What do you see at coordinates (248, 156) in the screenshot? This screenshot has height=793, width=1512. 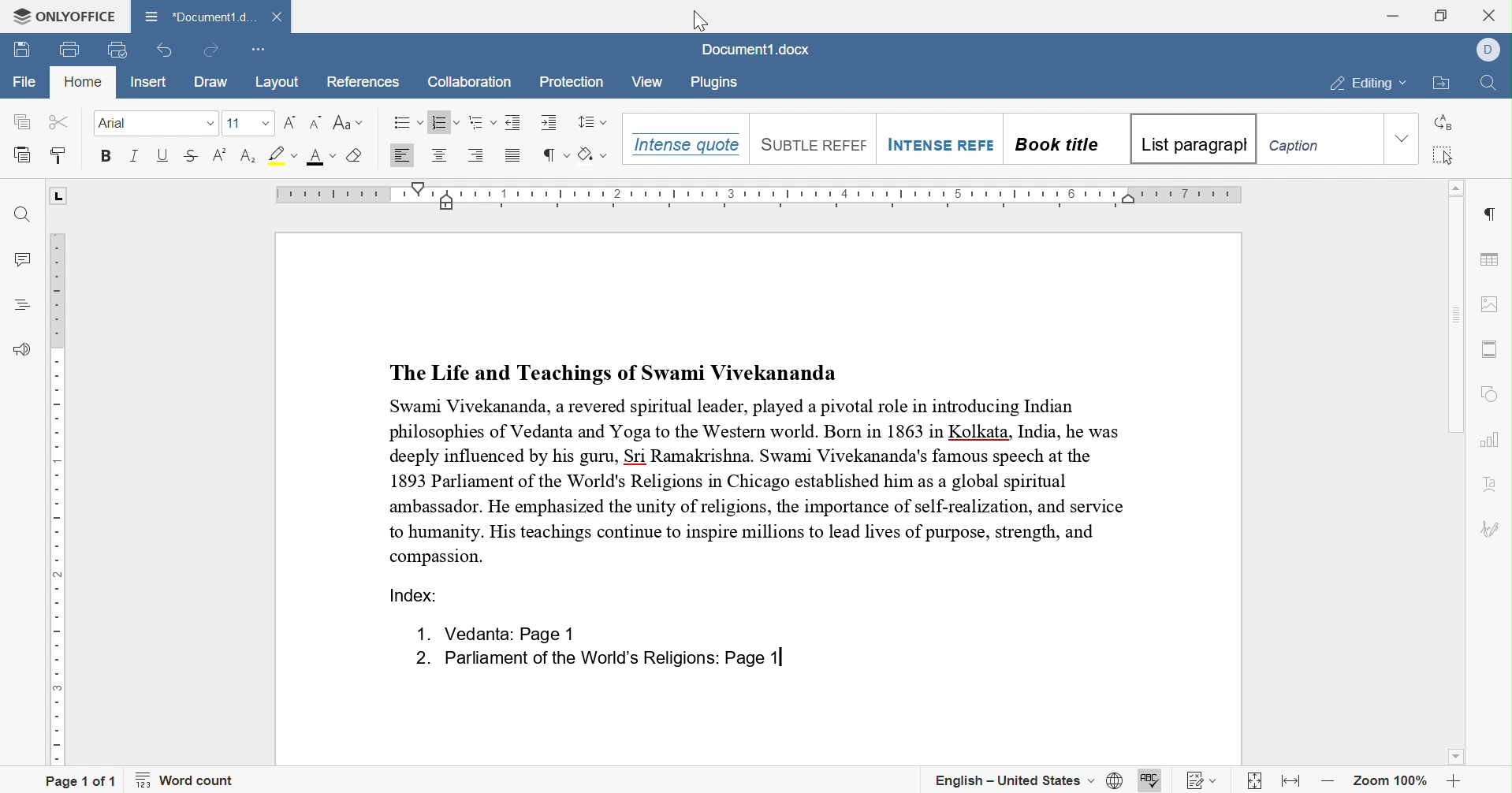 I see `subscript` at bounding box center [248, 156].